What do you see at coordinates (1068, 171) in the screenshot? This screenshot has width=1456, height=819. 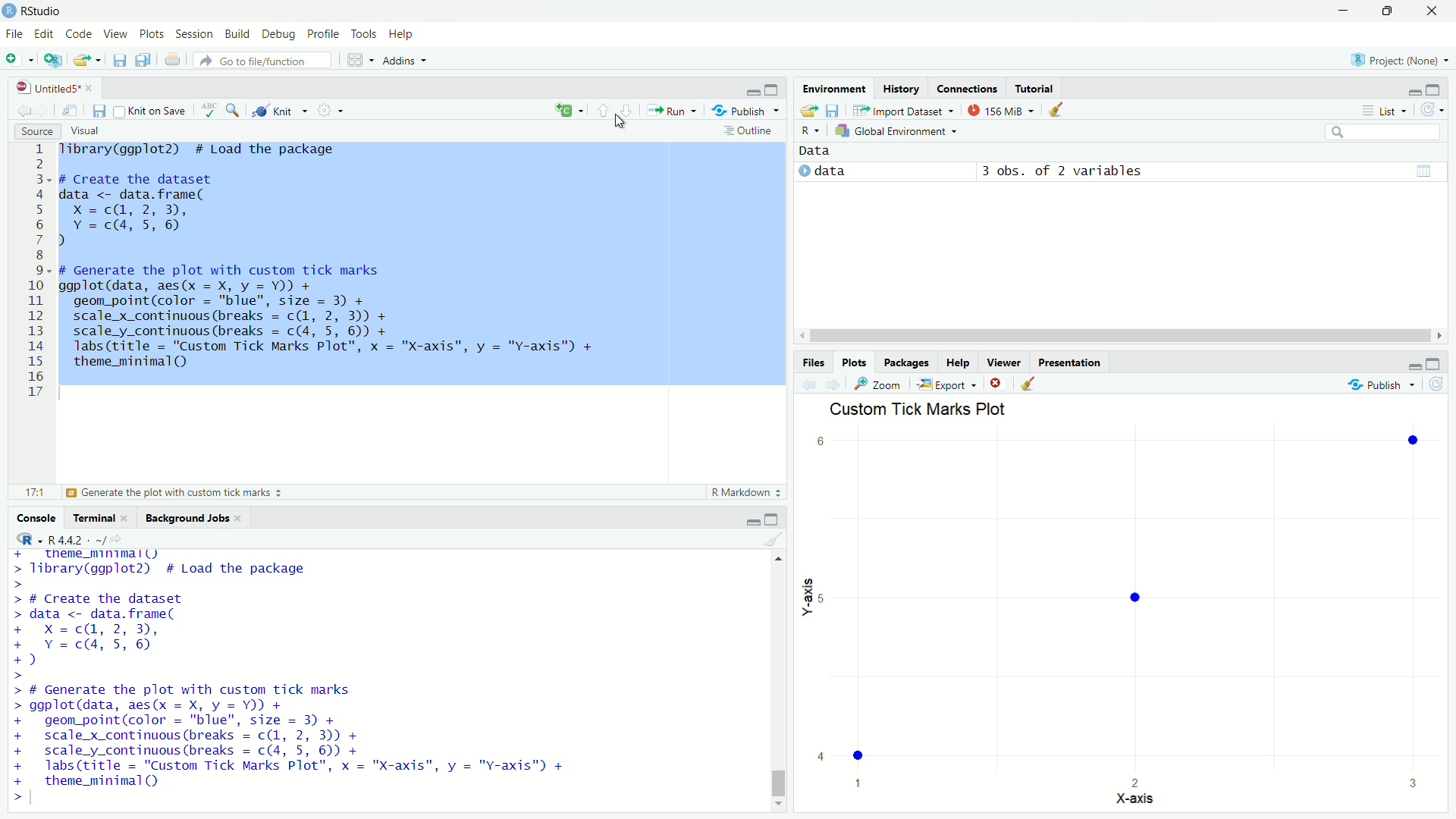 I see `3 obs. of 2 variables` at bounding box center [1068, 171].